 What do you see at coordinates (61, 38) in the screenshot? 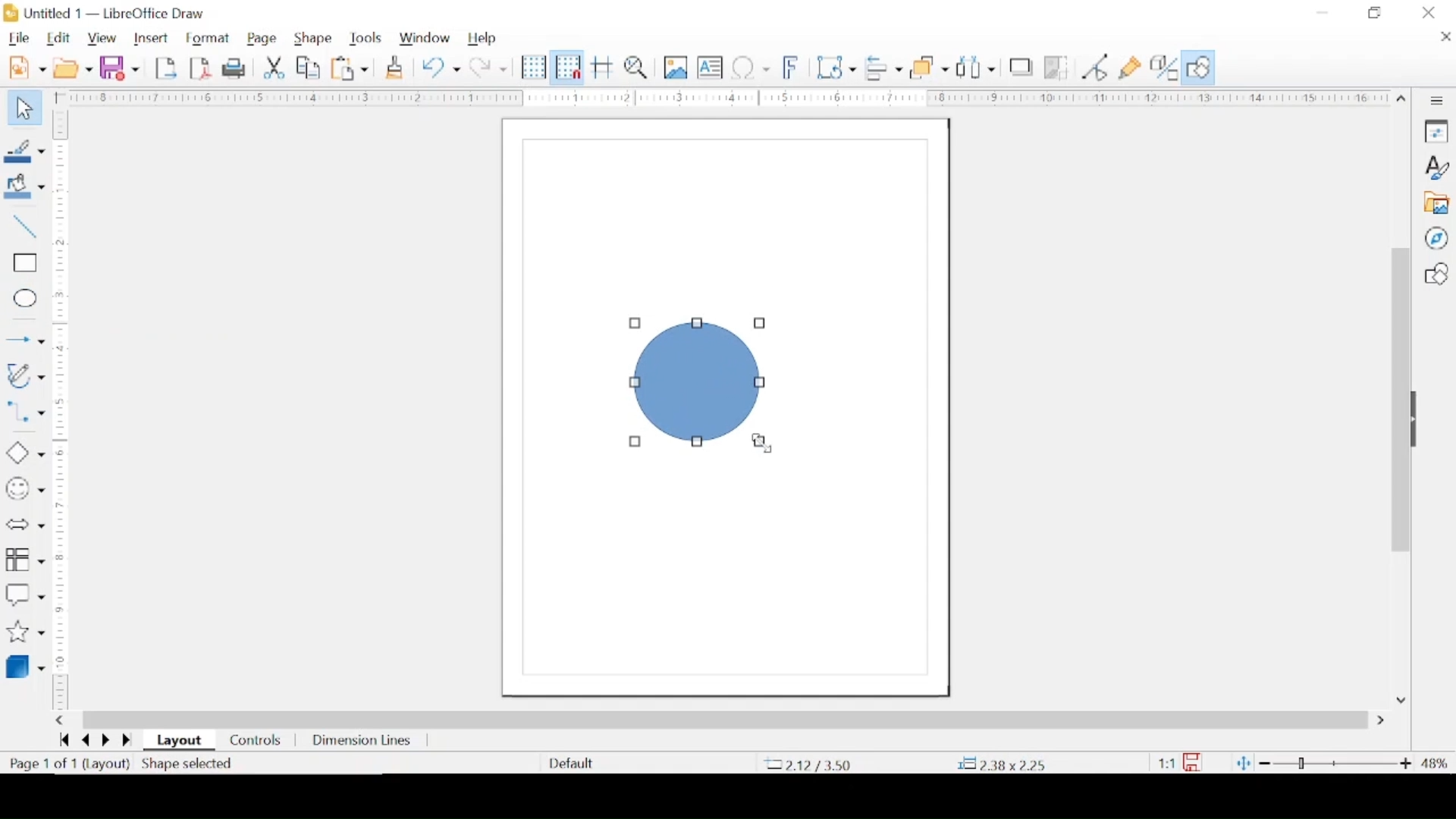
I see `edit` at bounding box center [61, 38].